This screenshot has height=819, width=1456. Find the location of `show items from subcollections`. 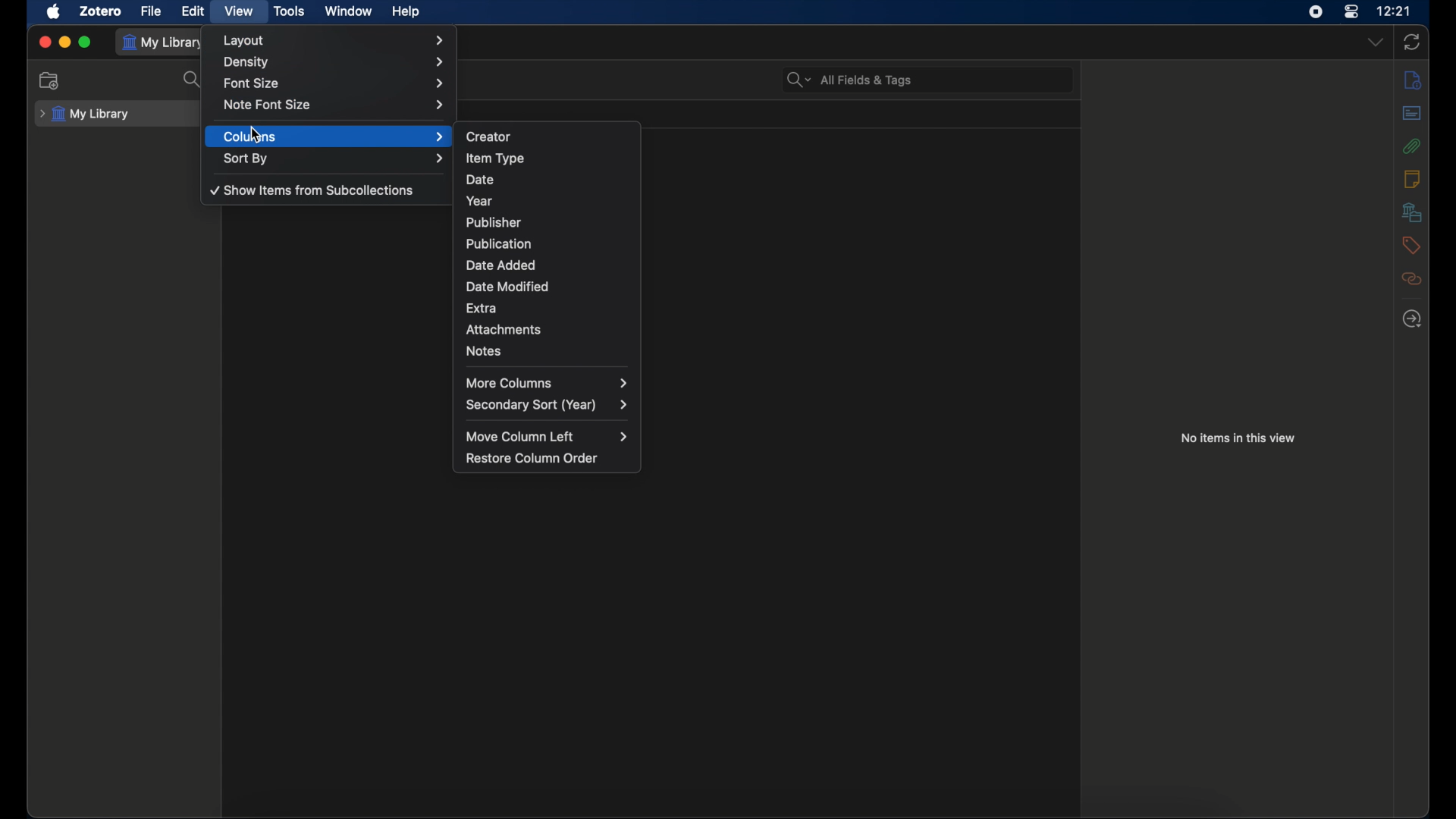

show items from subcollections is located at coordinates (315, 190).